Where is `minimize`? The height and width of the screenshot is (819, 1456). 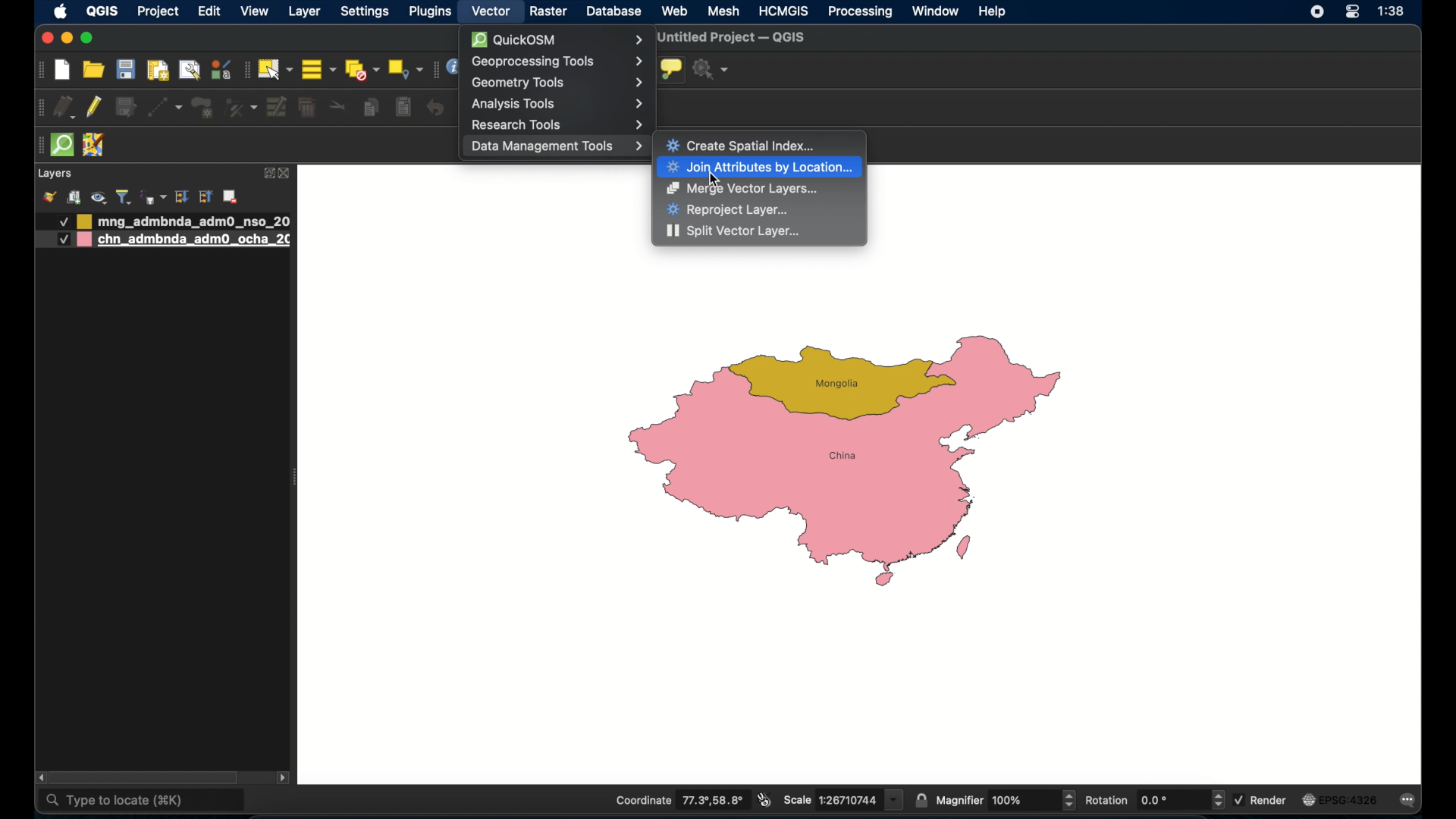 minimize is located at coordinates (67, 39).